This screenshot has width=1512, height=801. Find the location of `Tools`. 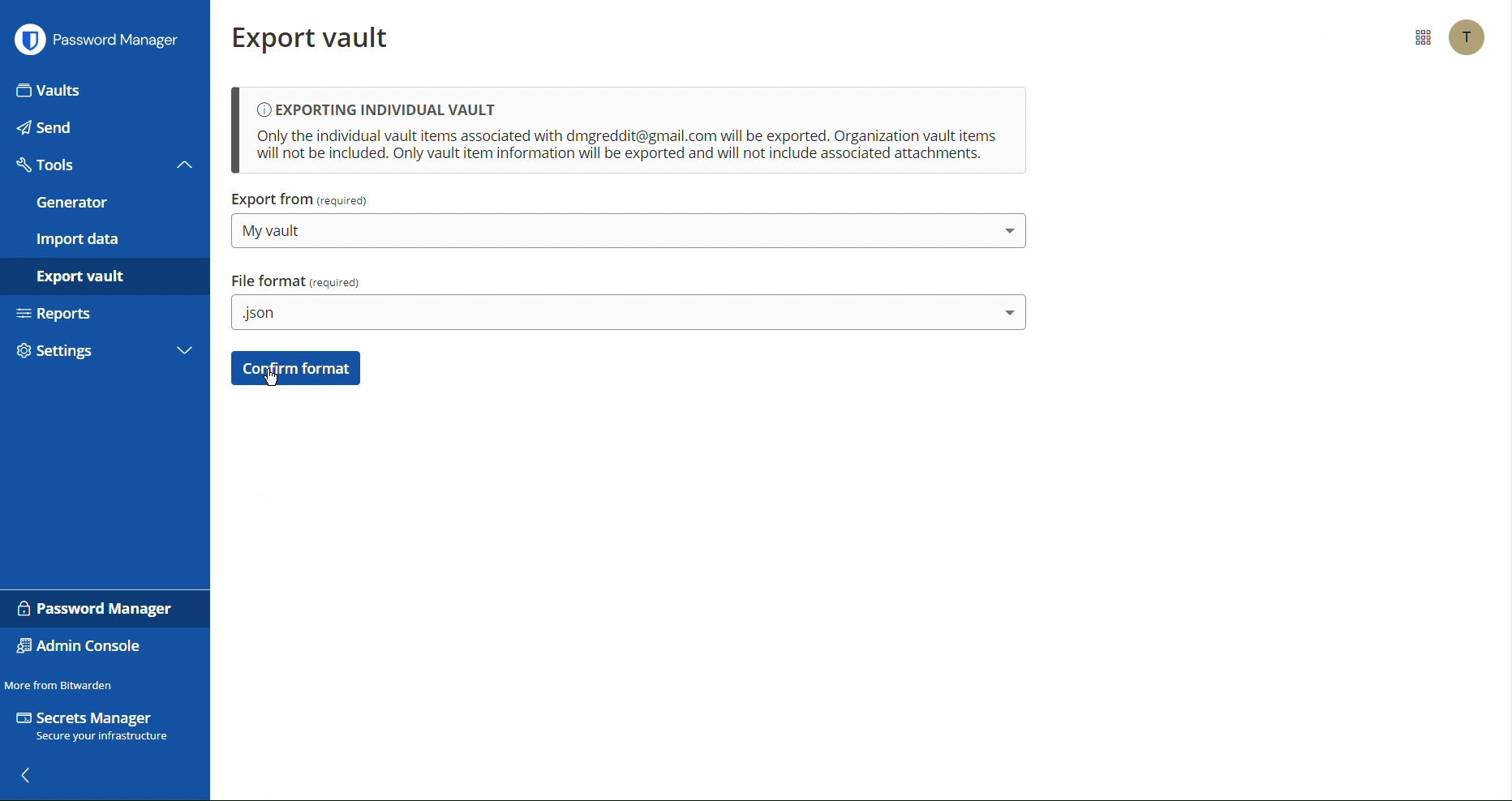

Tools is located at coordinates (101, 168).